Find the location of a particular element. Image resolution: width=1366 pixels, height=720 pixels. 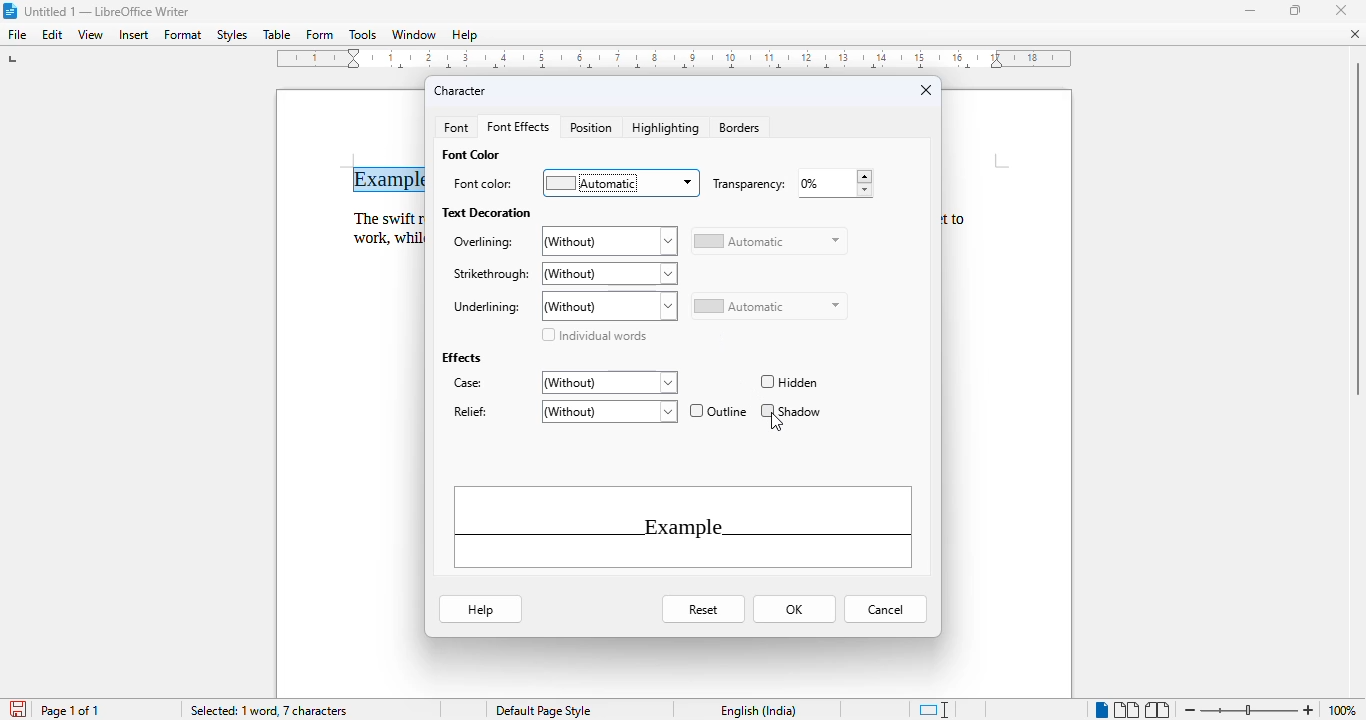

overlining: (Without) is located at coordinates (563, 242).